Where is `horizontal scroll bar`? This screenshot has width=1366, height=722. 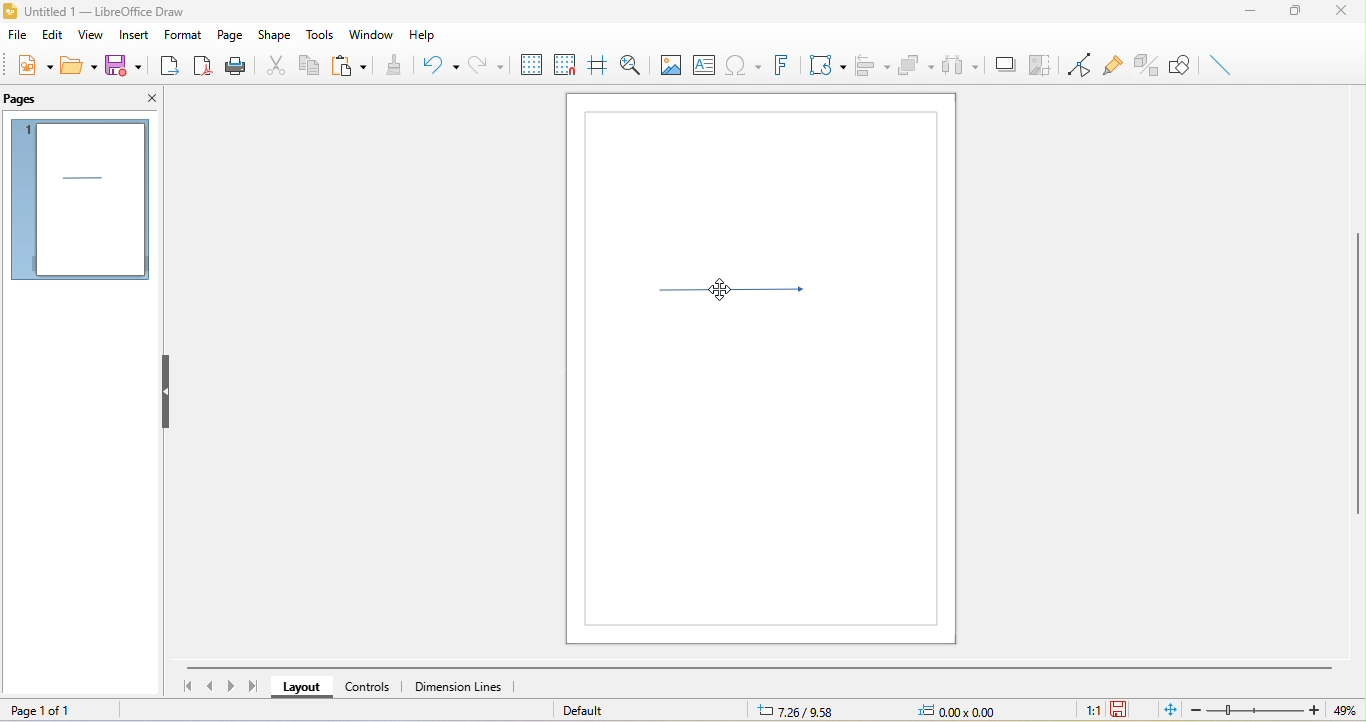
horizontal scroll bar is located at coordinates (759, 666).